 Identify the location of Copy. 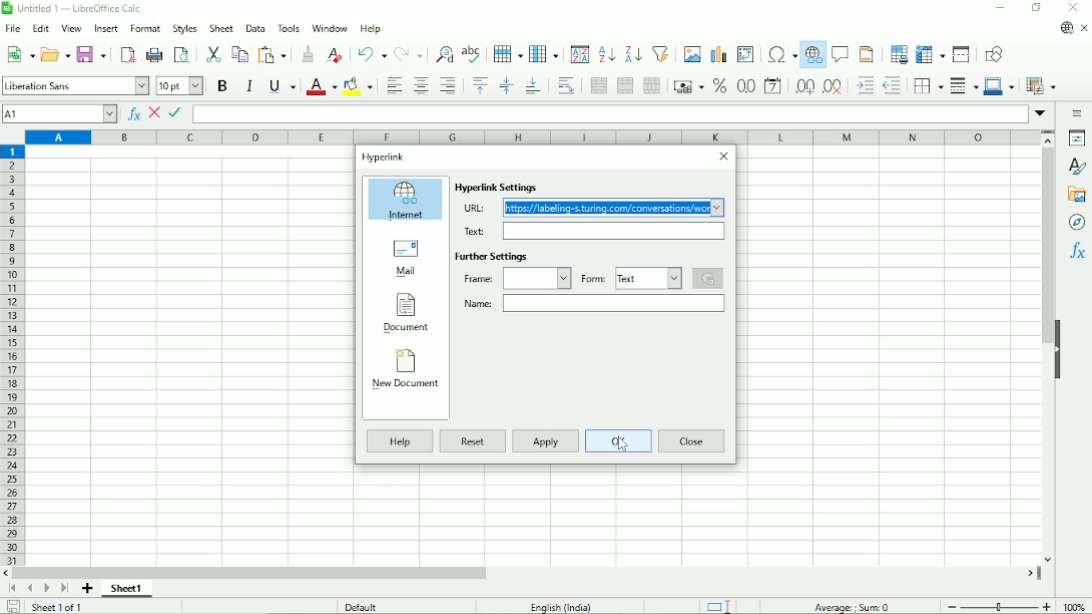
(240, 53).